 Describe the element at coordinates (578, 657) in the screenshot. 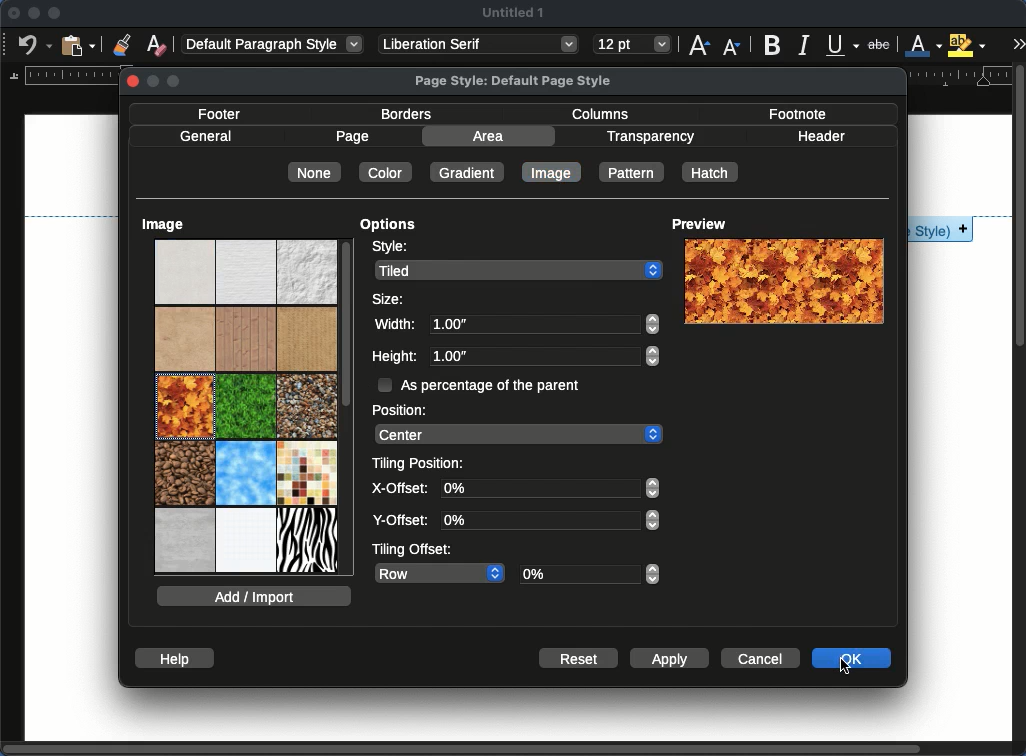

I see `reset` at that location.